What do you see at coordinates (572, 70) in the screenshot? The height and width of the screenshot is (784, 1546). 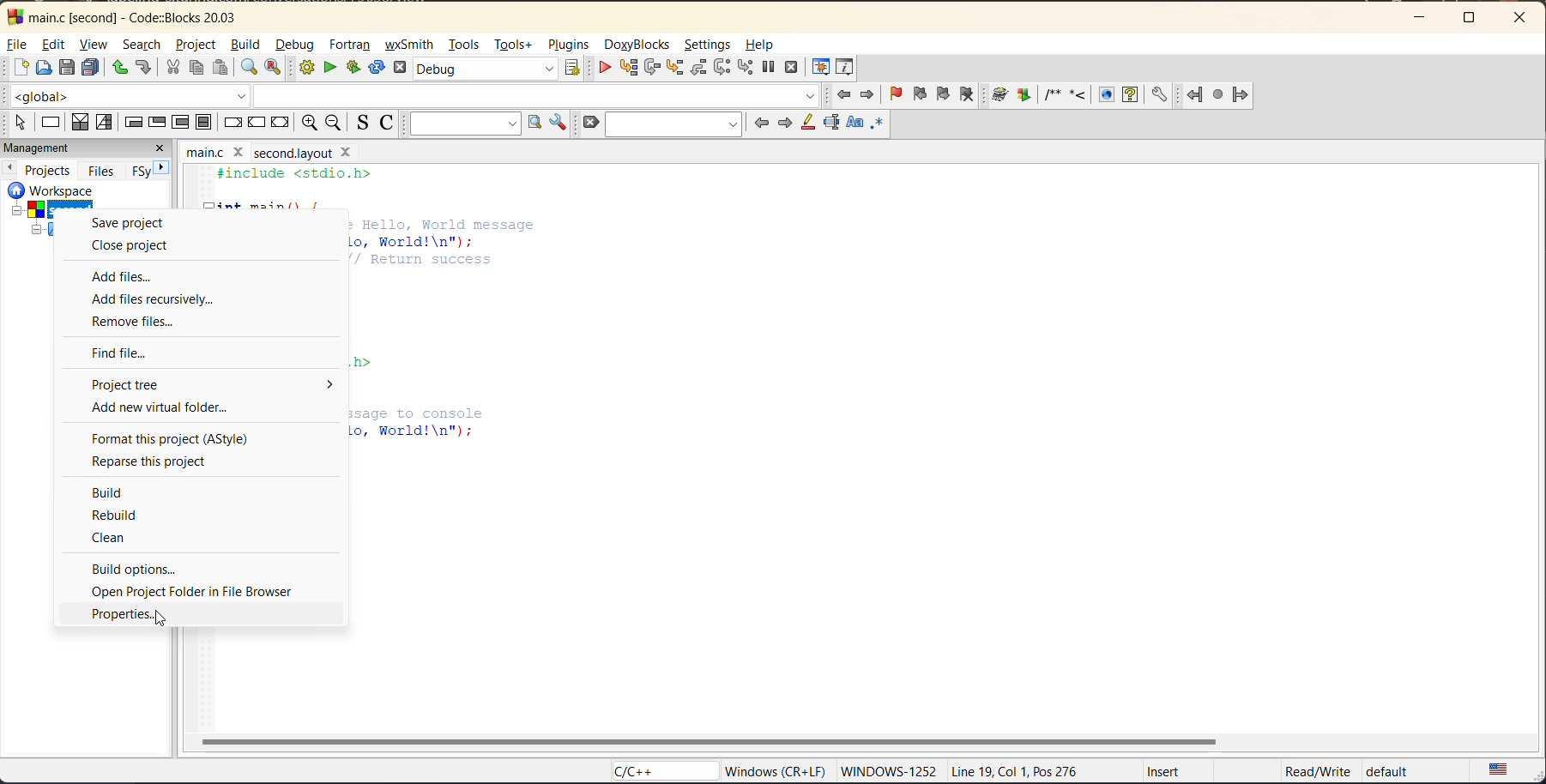 I see `show select target dialog` at bounding box center [572, 70].